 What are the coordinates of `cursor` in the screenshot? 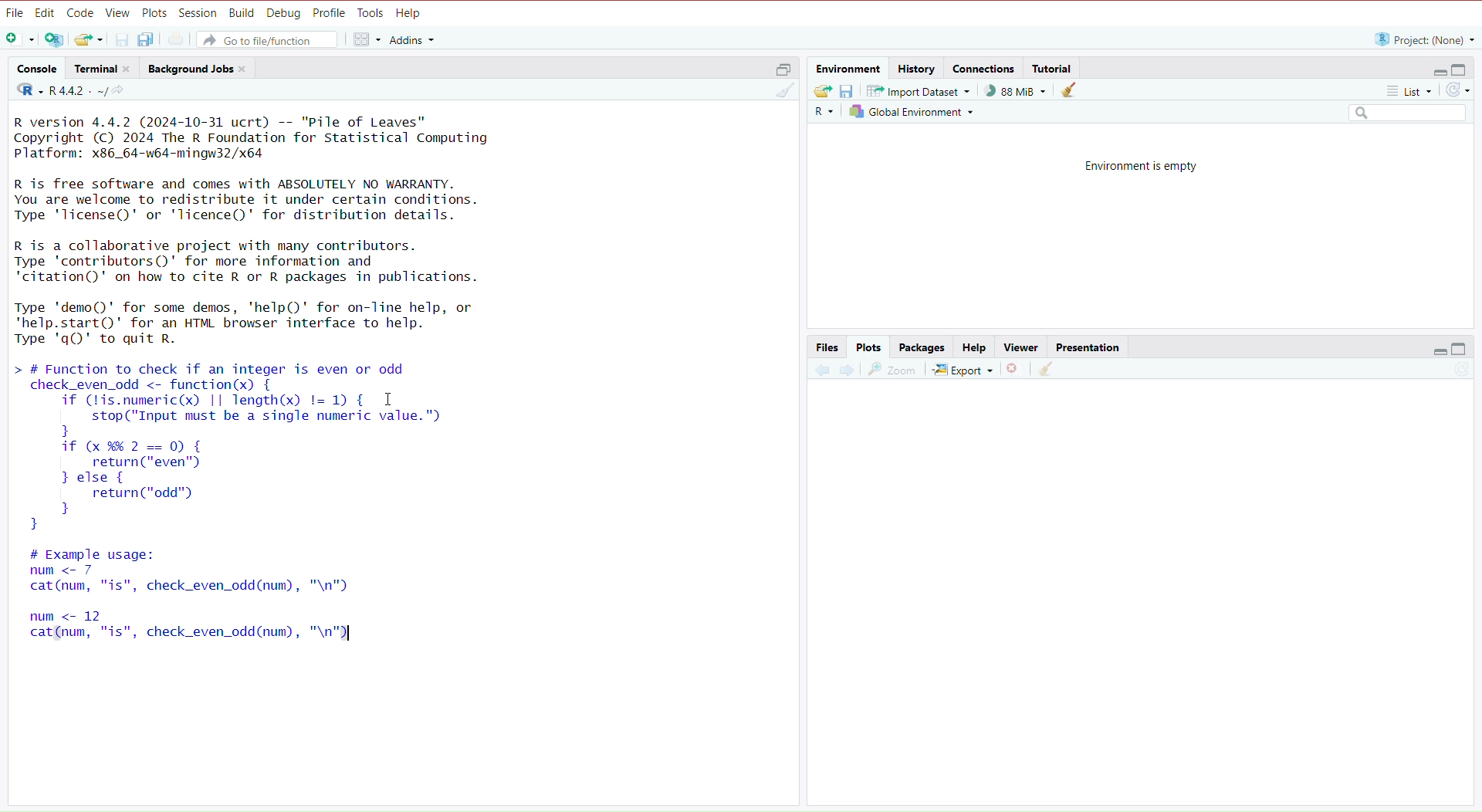 It's located at (387, 401).